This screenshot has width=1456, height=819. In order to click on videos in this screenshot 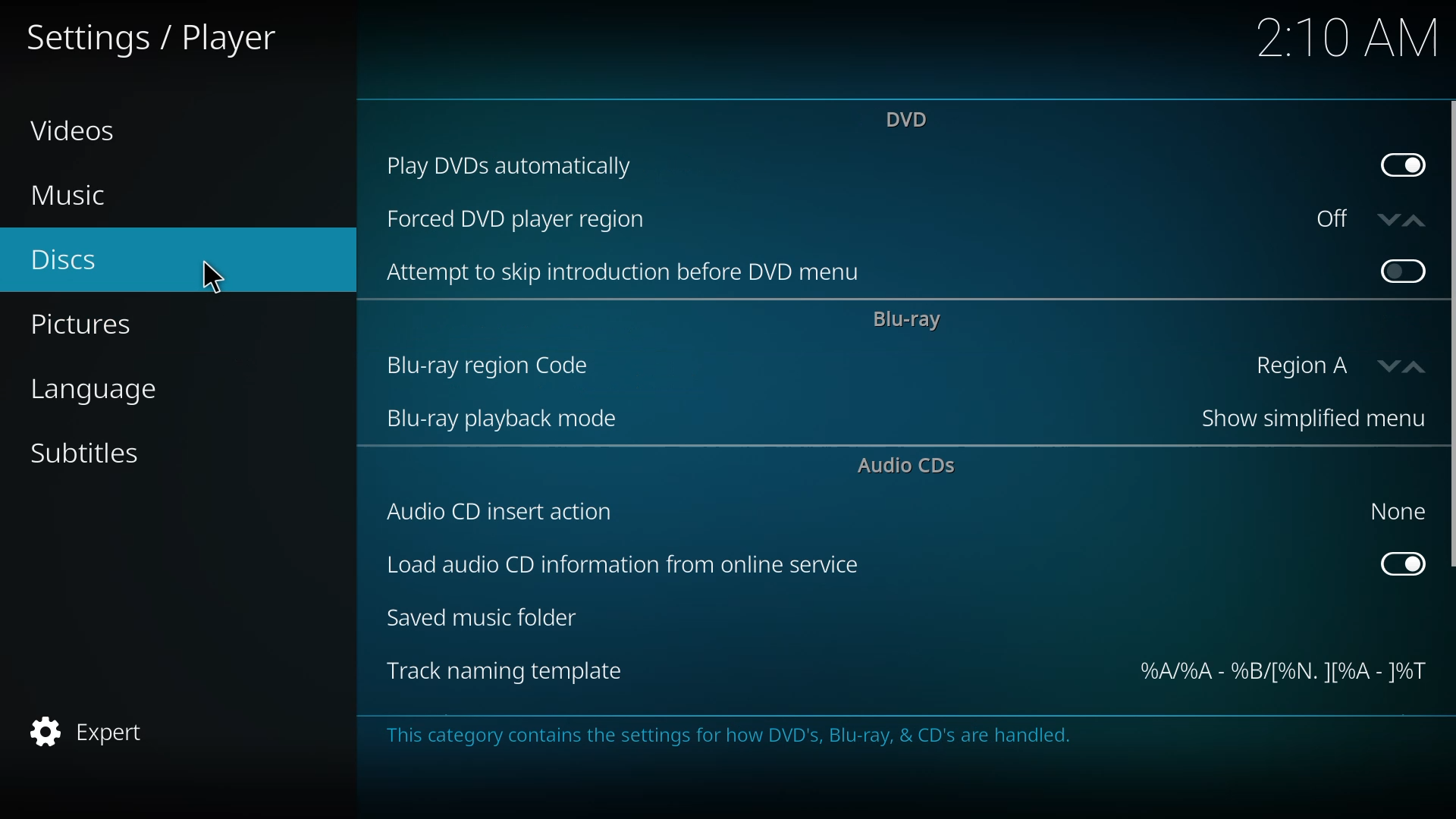, I will do `click(75, 130)`.